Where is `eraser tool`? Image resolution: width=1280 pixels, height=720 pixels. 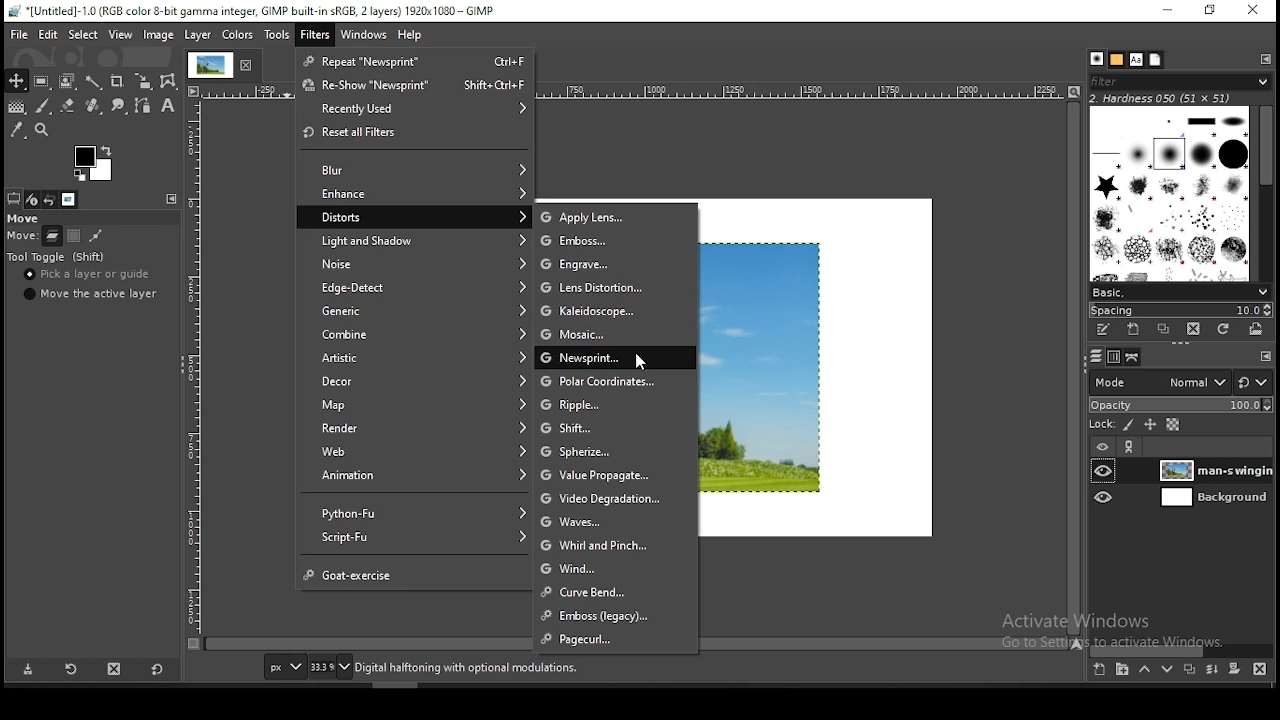
eraser tool is located at coordinates (68, 107).